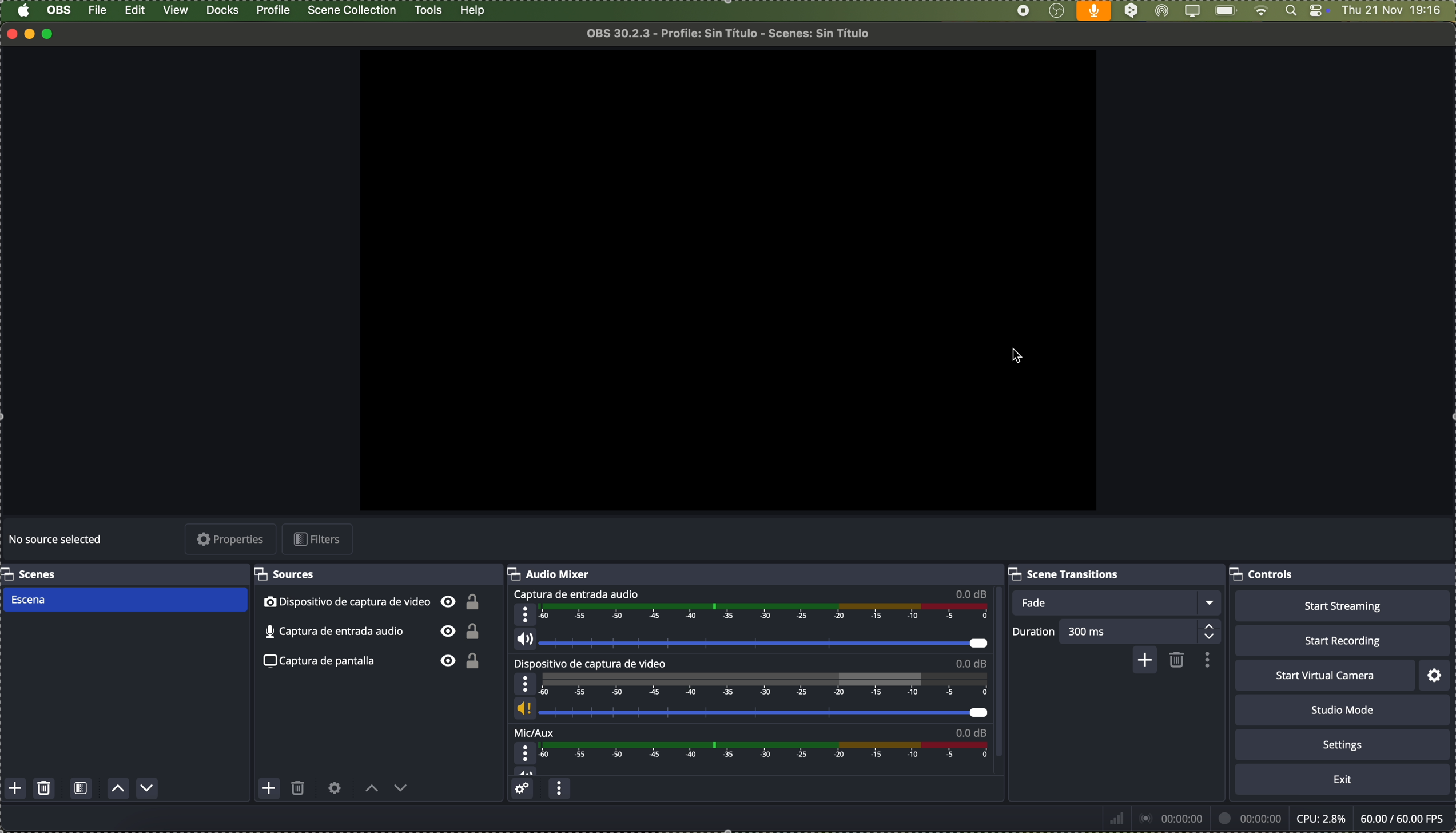 The height and width of the screenshot is (833, 1456). Describe the element at coordinates (124, 600) in the screenshot. I see `scene` at that location.